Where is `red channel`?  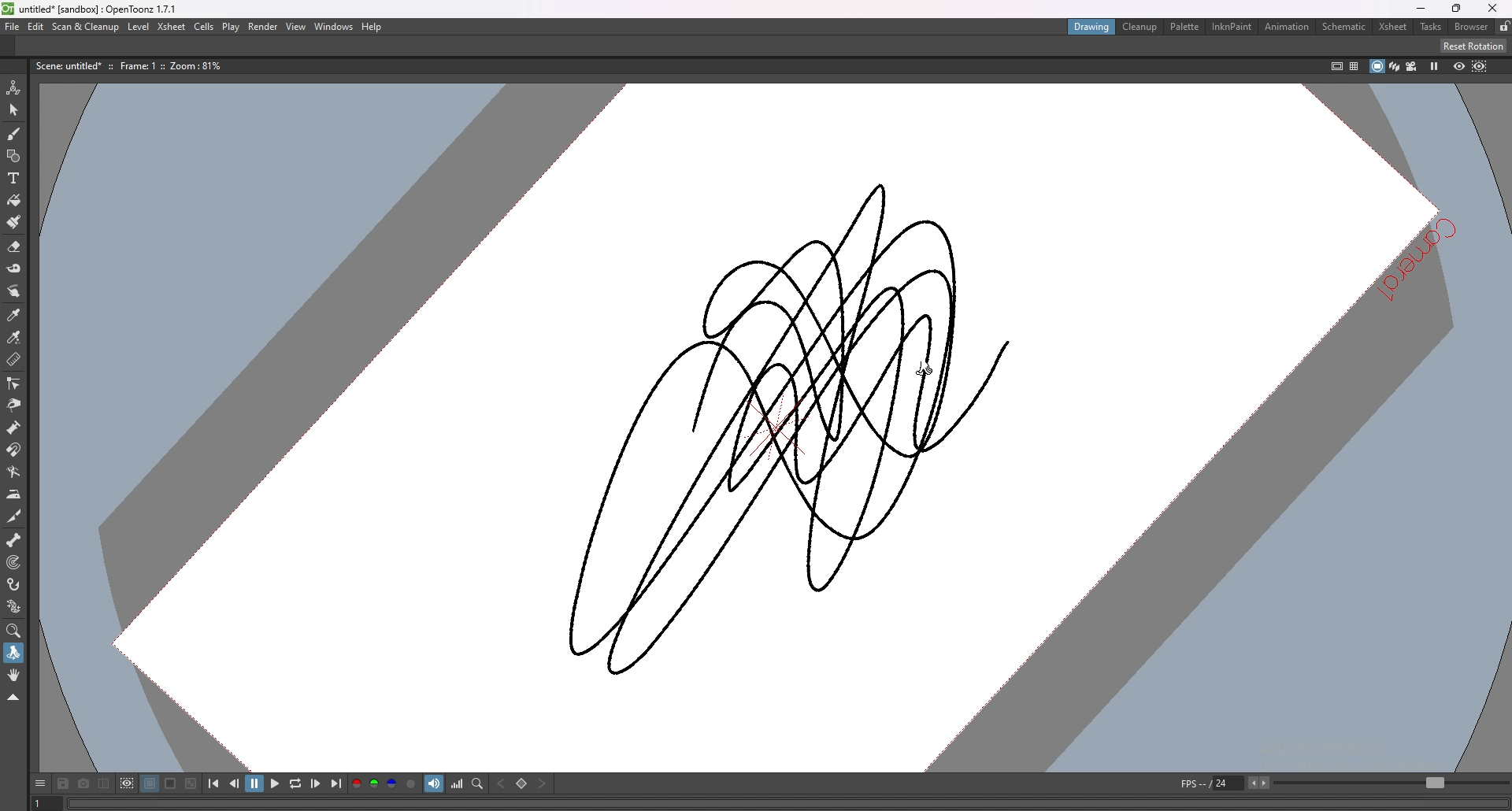 red channel is located at coordinates (356, 784).